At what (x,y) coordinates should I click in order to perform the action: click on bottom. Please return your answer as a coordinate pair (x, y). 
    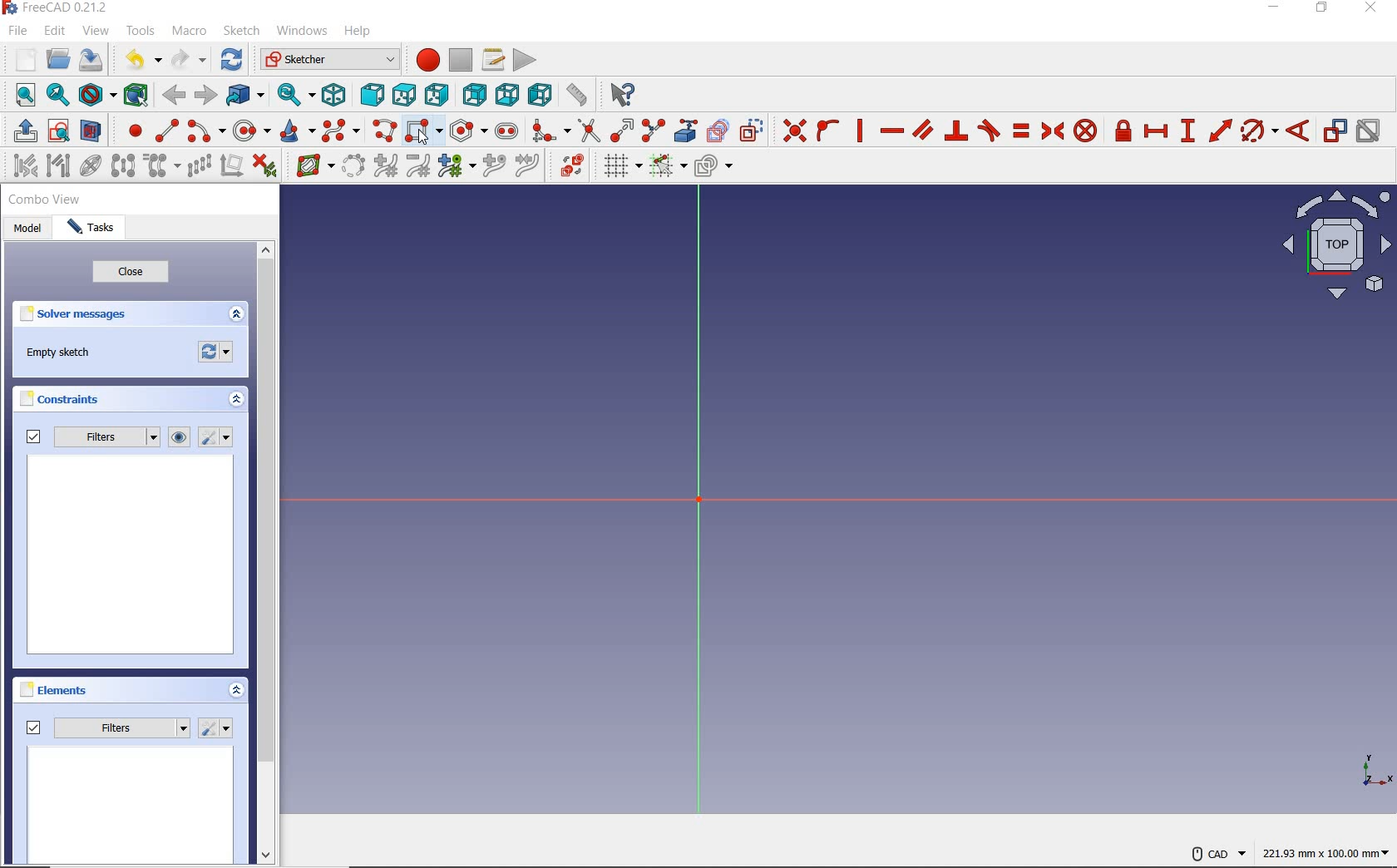
    Looking at the image, I should click on (506, 94).